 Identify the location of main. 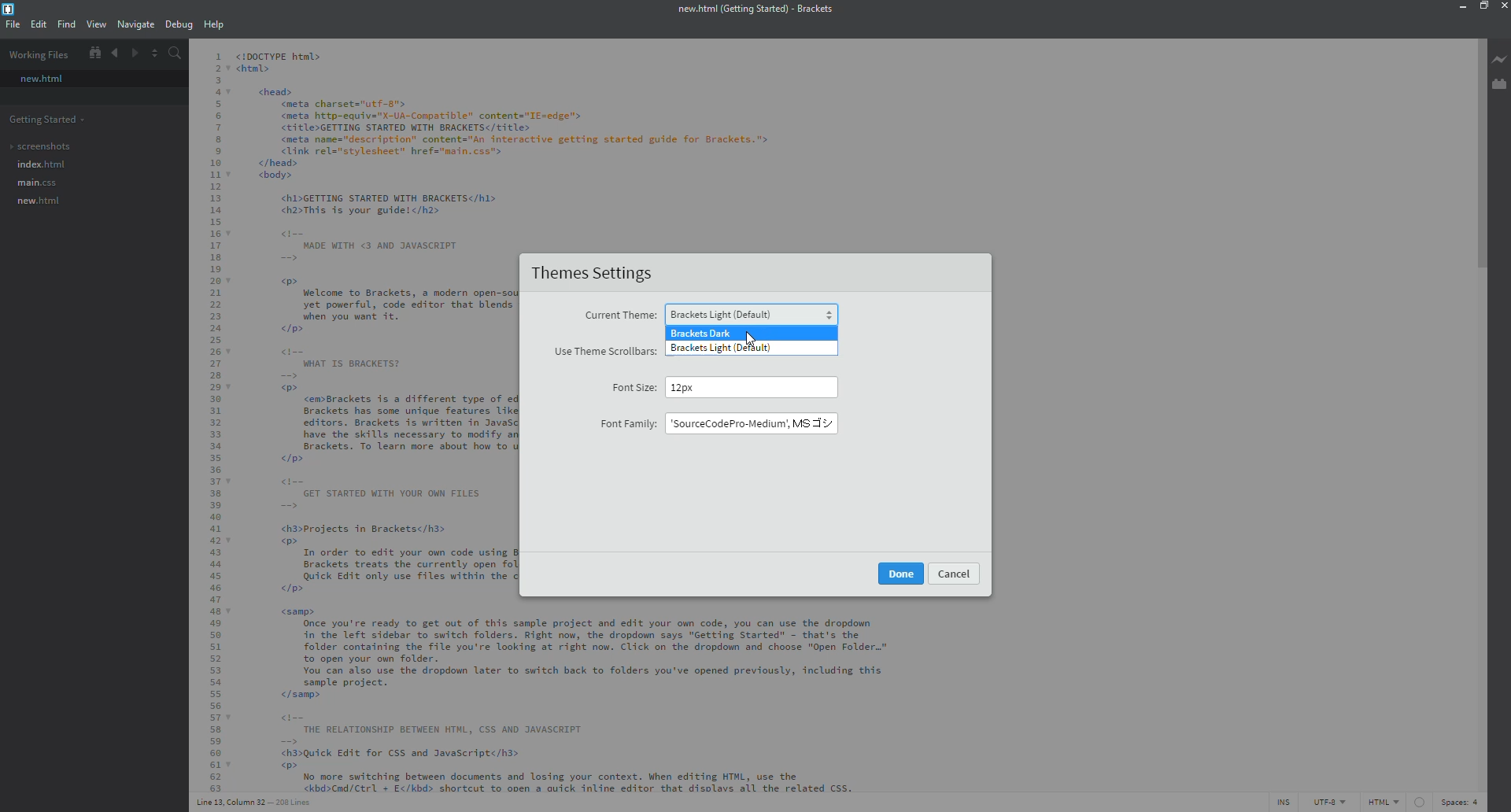
(36, 183).